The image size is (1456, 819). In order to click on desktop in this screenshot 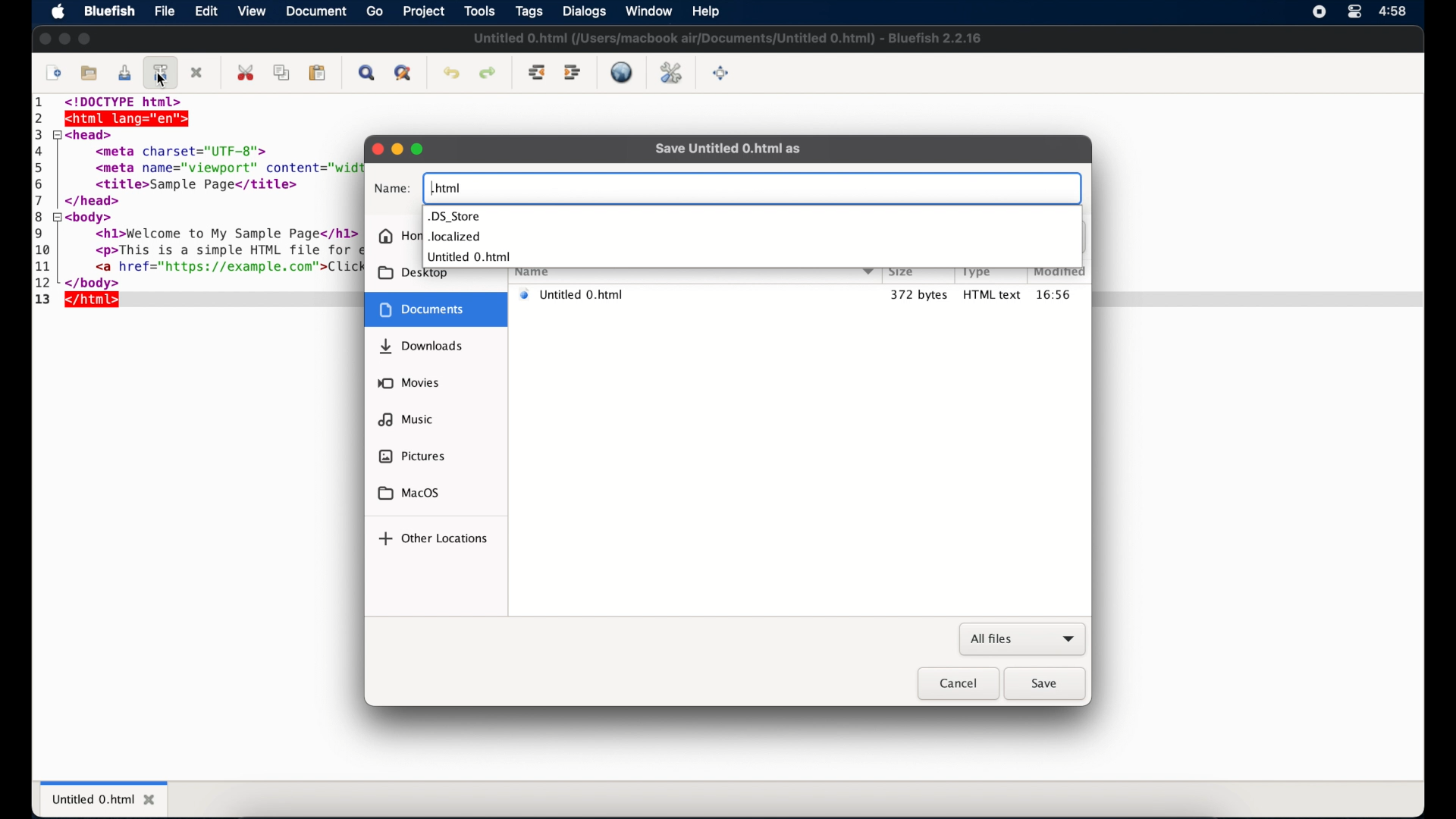, I will do `click(411, 275)`.